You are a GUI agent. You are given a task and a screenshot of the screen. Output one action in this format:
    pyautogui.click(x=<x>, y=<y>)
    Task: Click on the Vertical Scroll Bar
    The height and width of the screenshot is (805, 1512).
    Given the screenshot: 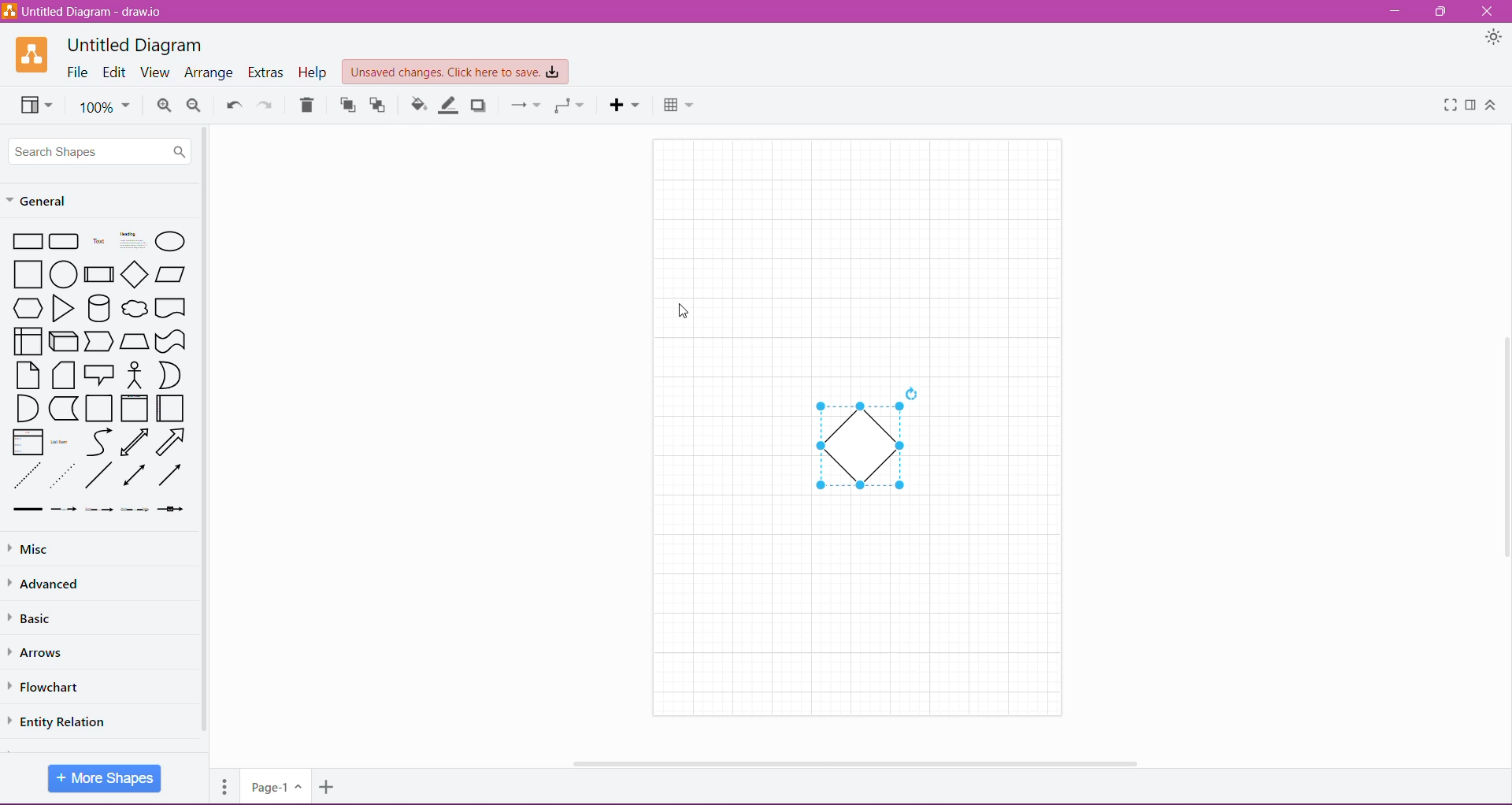 What is the action you would take?
    pyautogui.click(x=204, y=432)
    